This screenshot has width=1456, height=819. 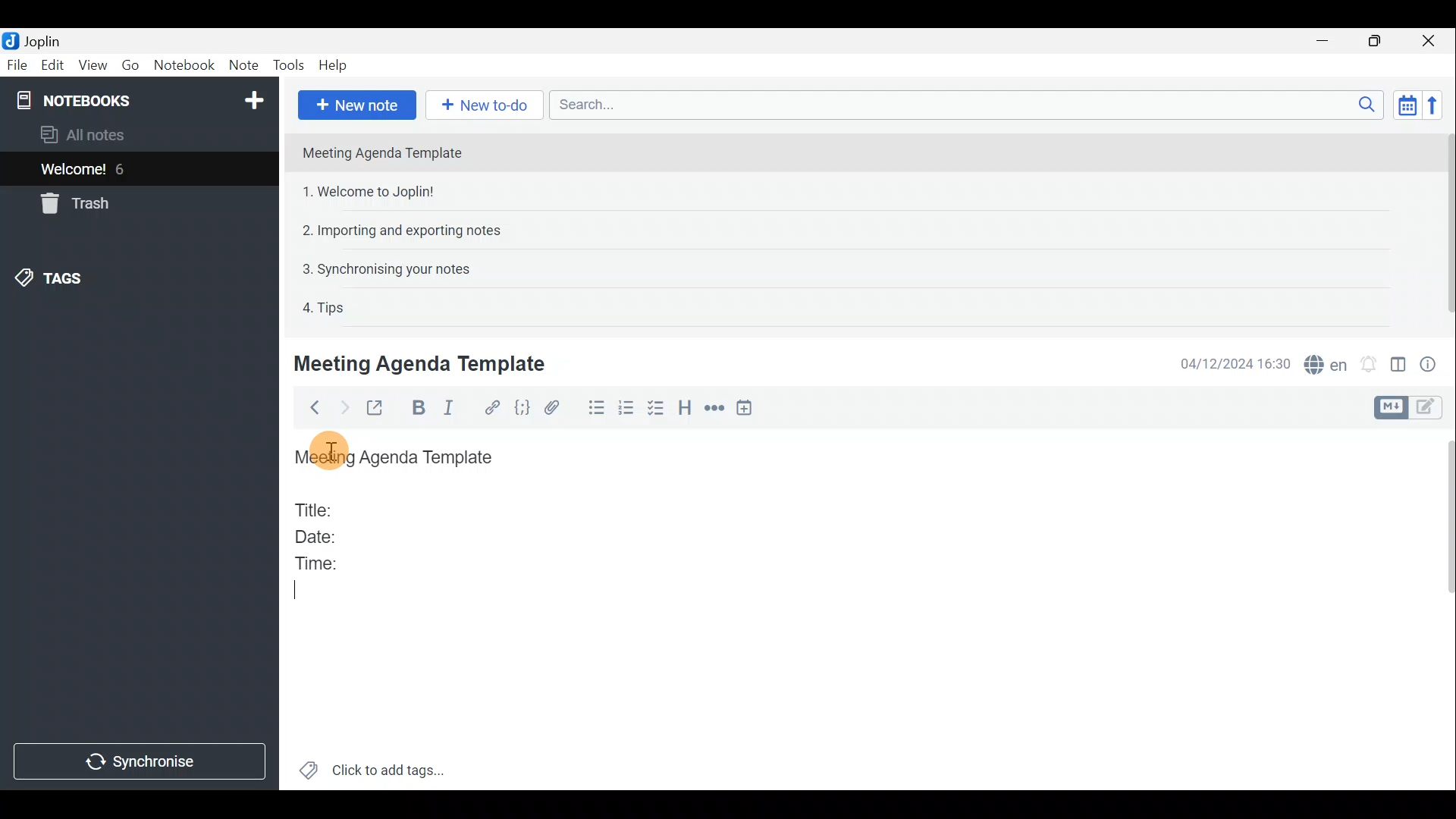 What do you see at coordinates (286, 63) in the screenshot?
I see `Tools` at bounding box center [286, 63].